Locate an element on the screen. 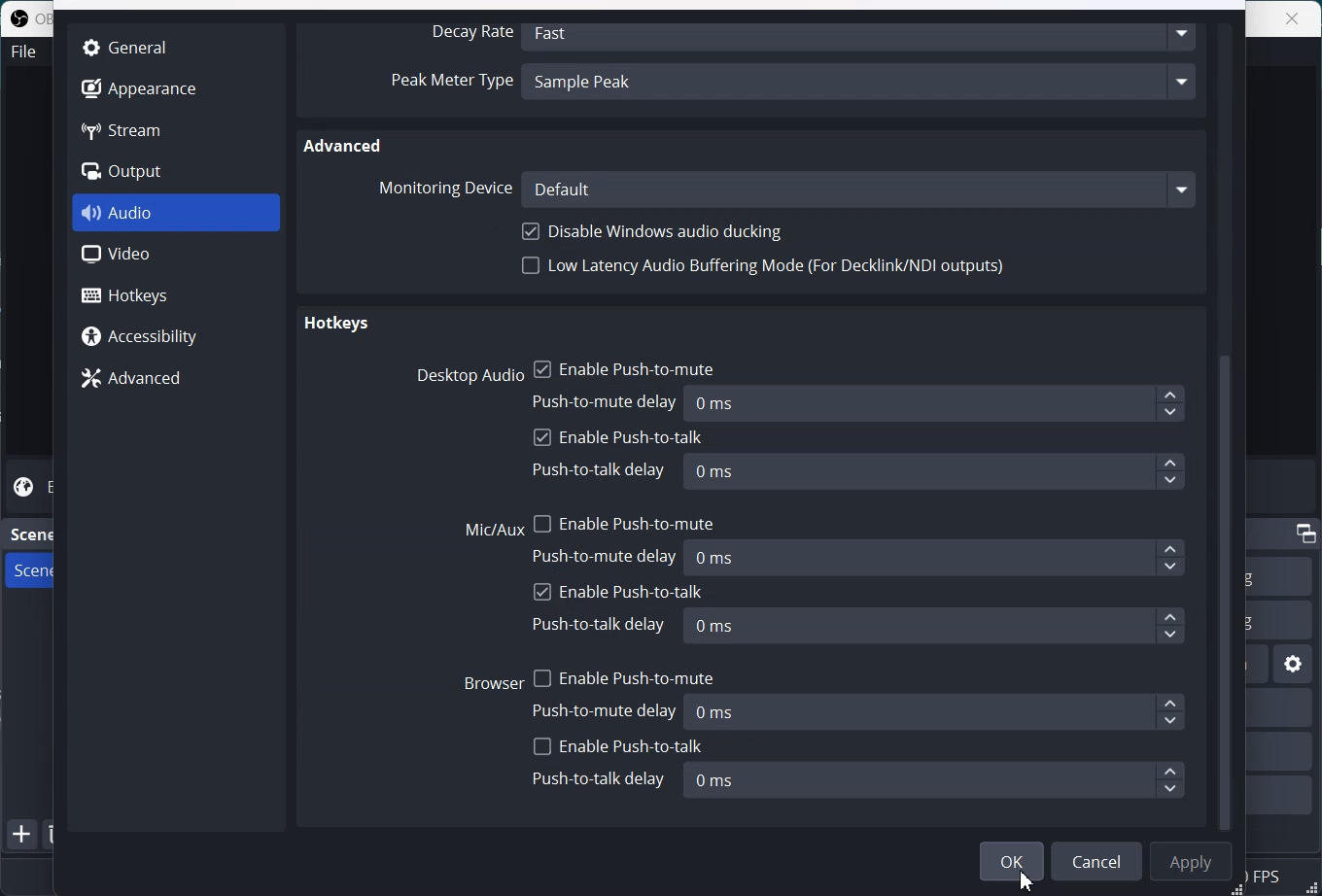 Image resolution: width=1322 pixels, height=896 pixels. Advanced is located at coordinates (345, 145).